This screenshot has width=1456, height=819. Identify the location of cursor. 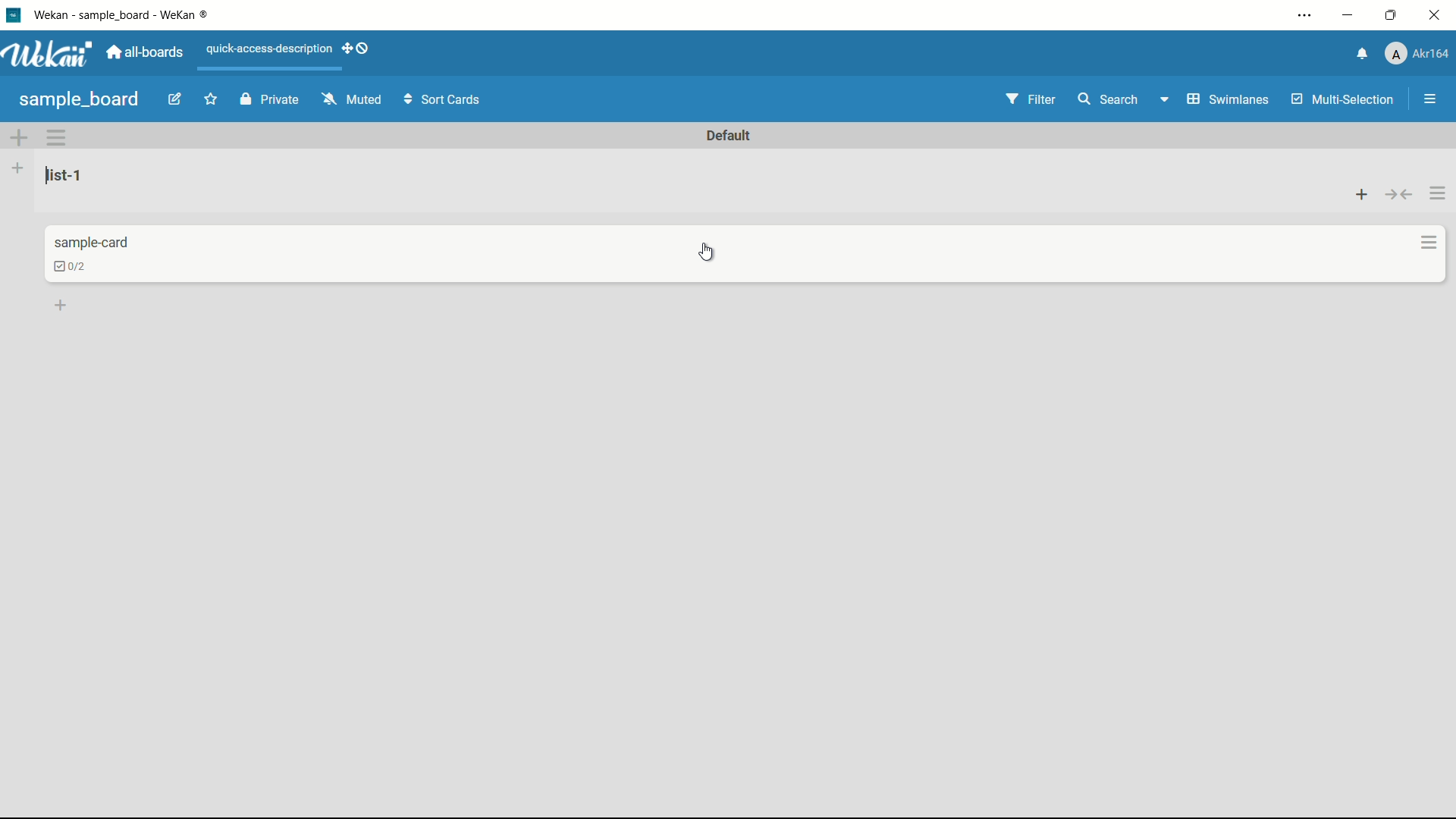
(704, 250).